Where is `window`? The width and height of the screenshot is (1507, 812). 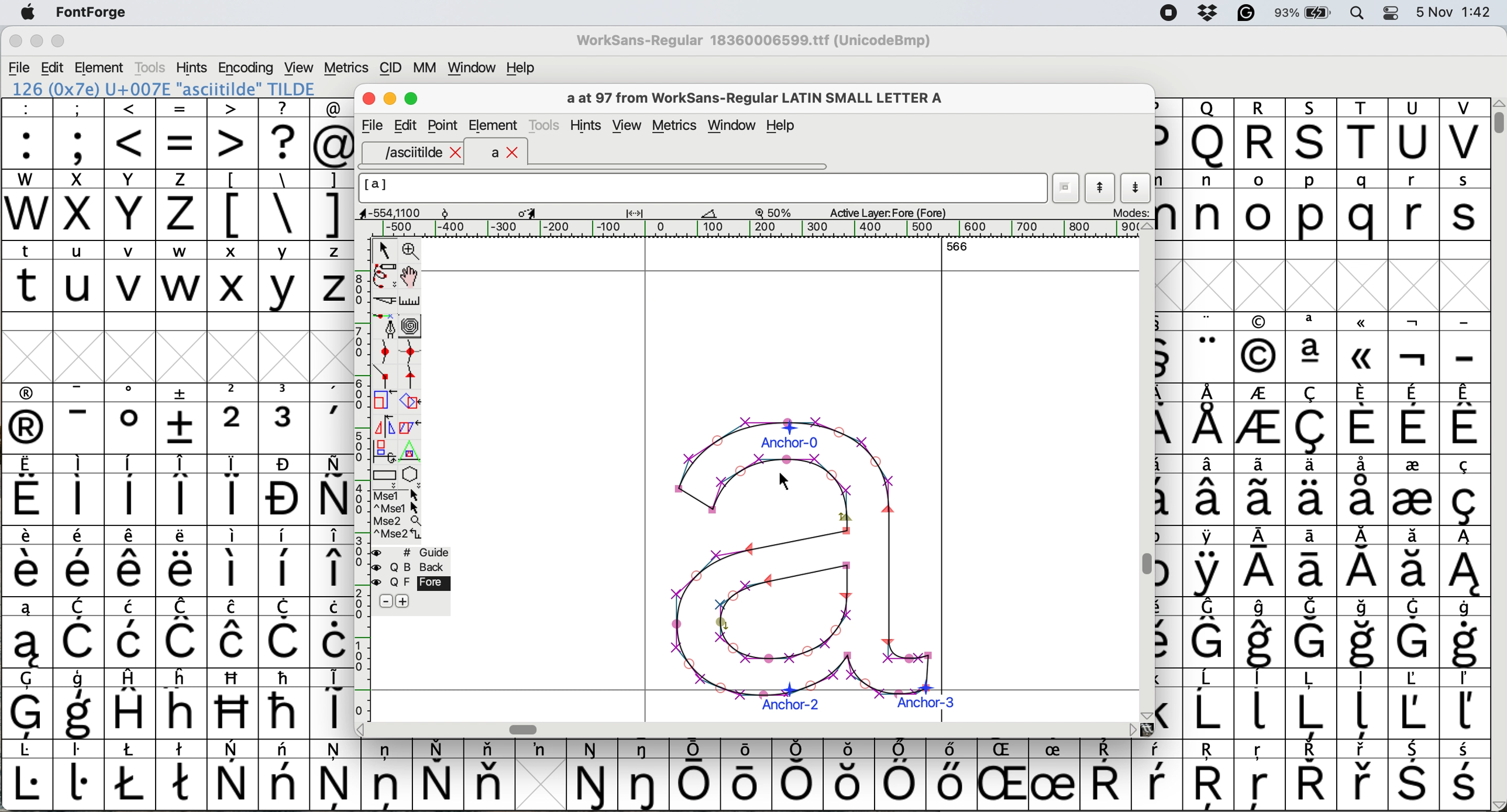 window is located at coordinates (469, 68).